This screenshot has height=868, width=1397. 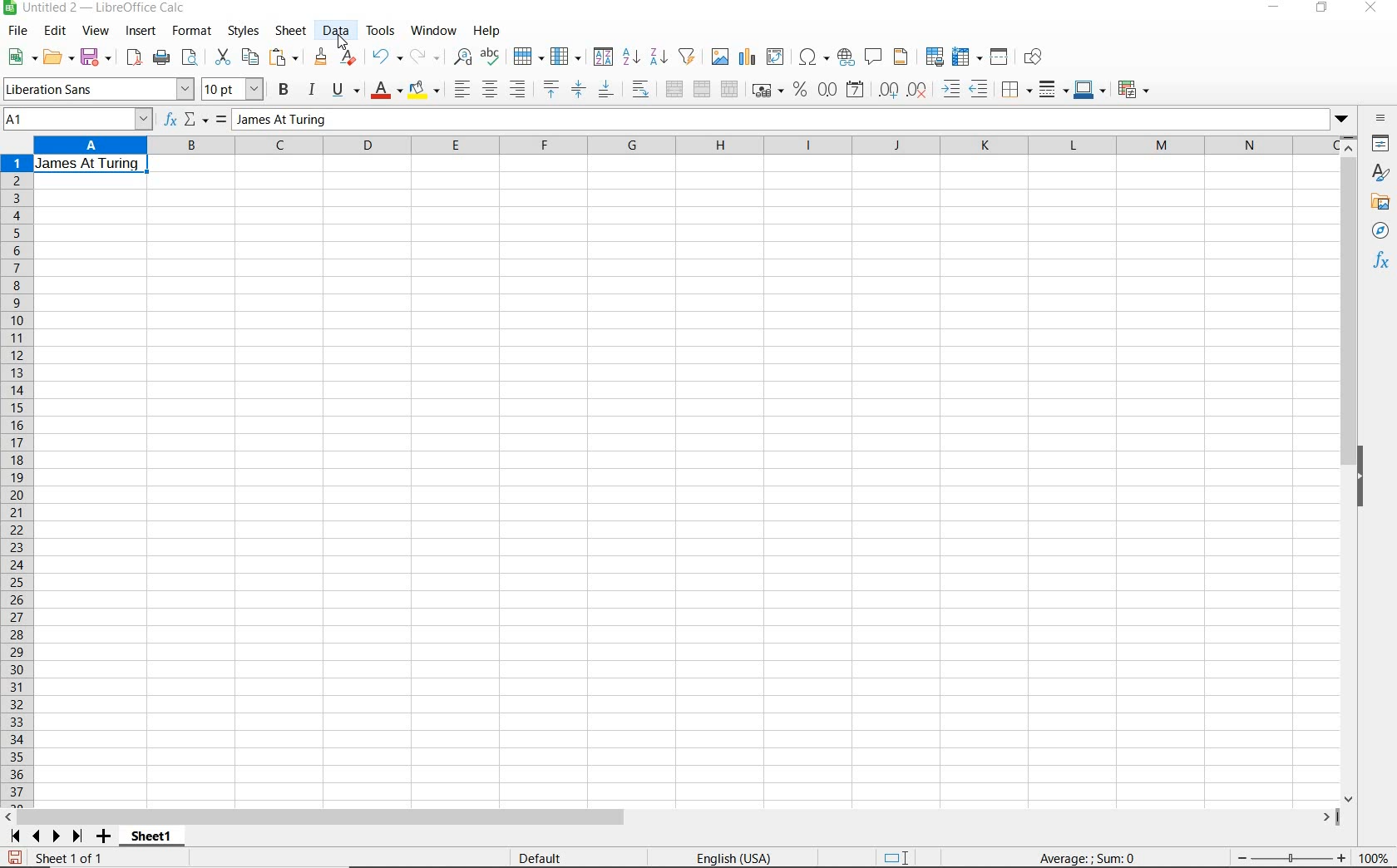 What do you see at coordinates (425, 89) in the screenshot?
I see `background color` at bounding box center [425, 89].